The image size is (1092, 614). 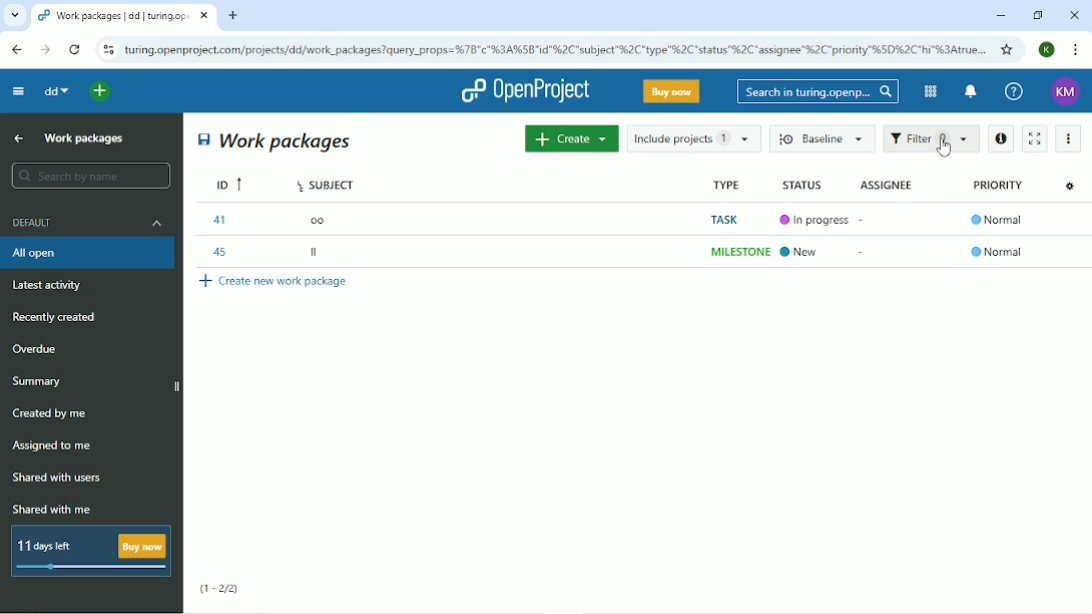 I want to click on OpenProject, so click(x=525, y=91).